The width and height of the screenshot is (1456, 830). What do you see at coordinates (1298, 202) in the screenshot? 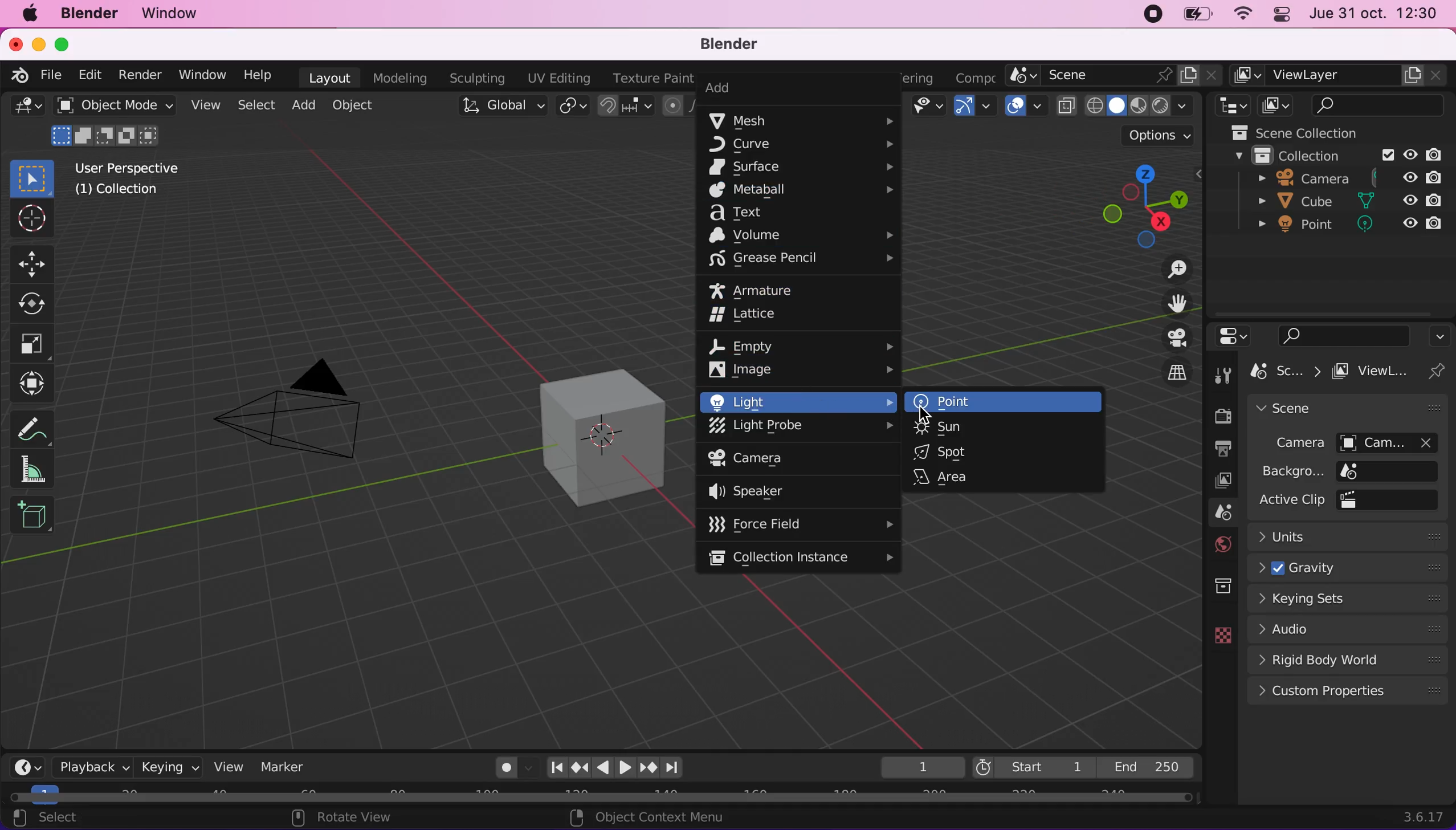
I see `cube` at bounding box center [1298, 202].